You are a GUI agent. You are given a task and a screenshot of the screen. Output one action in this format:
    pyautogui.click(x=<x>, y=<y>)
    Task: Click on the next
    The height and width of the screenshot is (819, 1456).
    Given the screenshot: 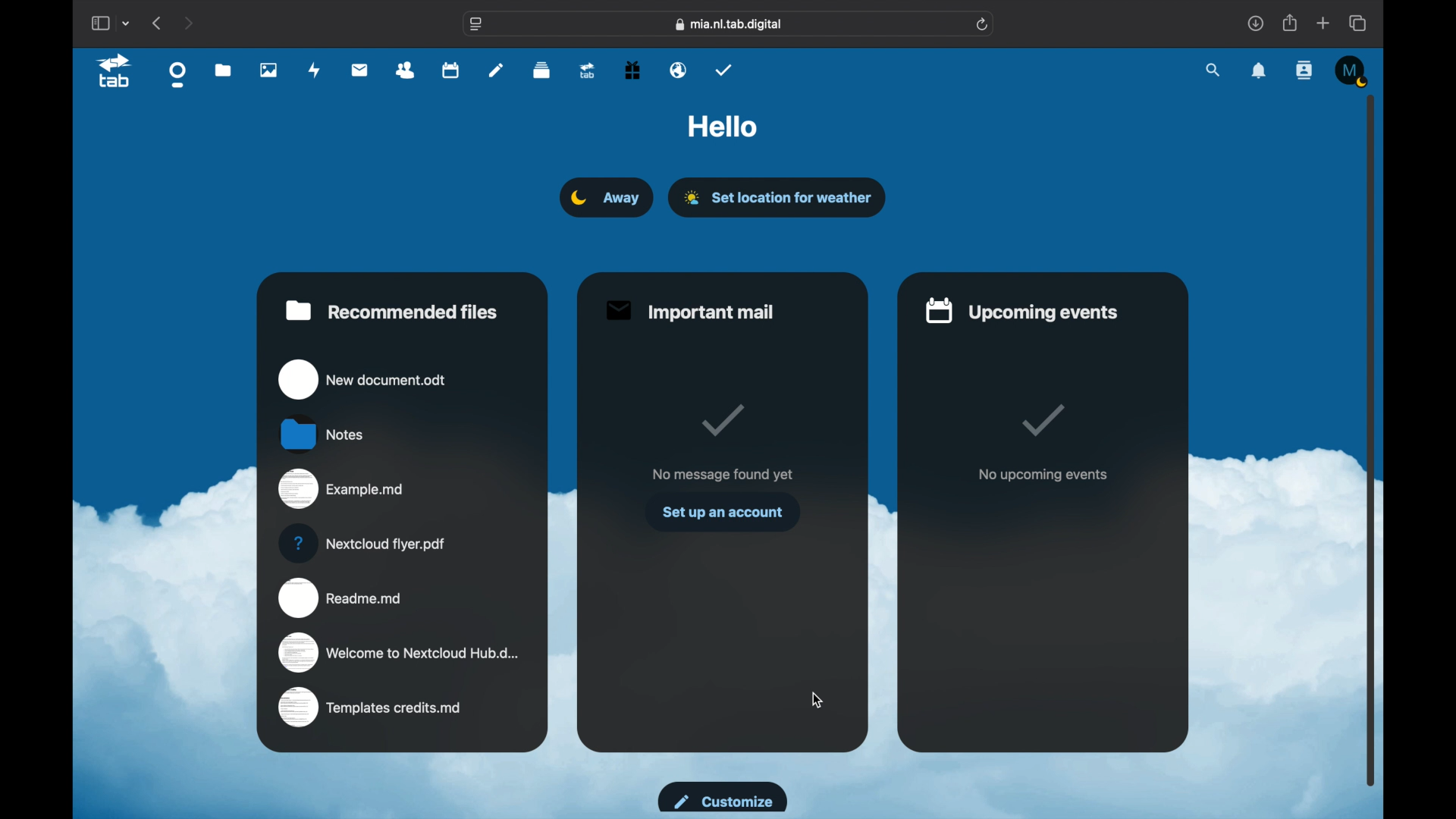 What is the action you would take?
    pyautogui.click(x=188, y=23)
    